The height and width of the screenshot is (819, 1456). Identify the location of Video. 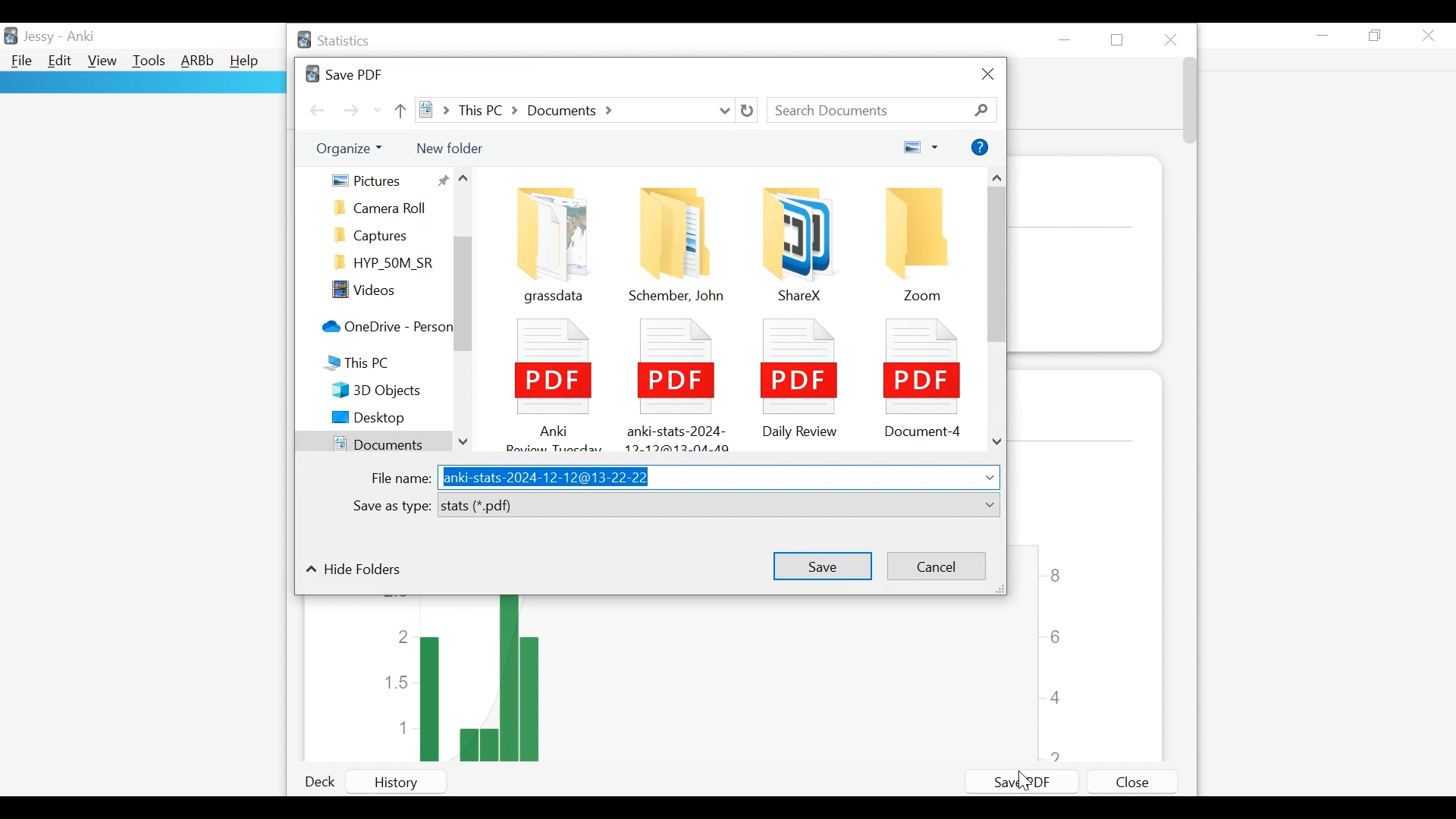
(385, 291).